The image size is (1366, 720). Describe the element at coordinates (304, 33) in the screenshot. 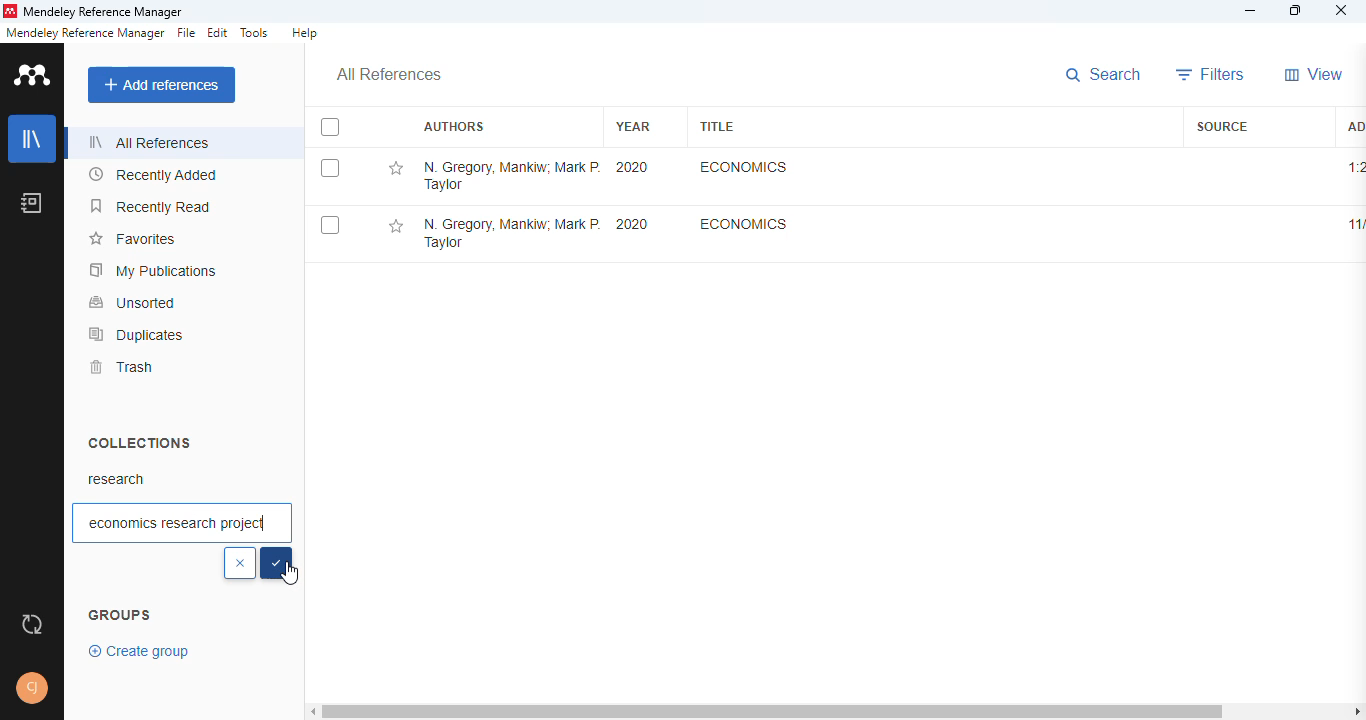

I see `help` at that location.